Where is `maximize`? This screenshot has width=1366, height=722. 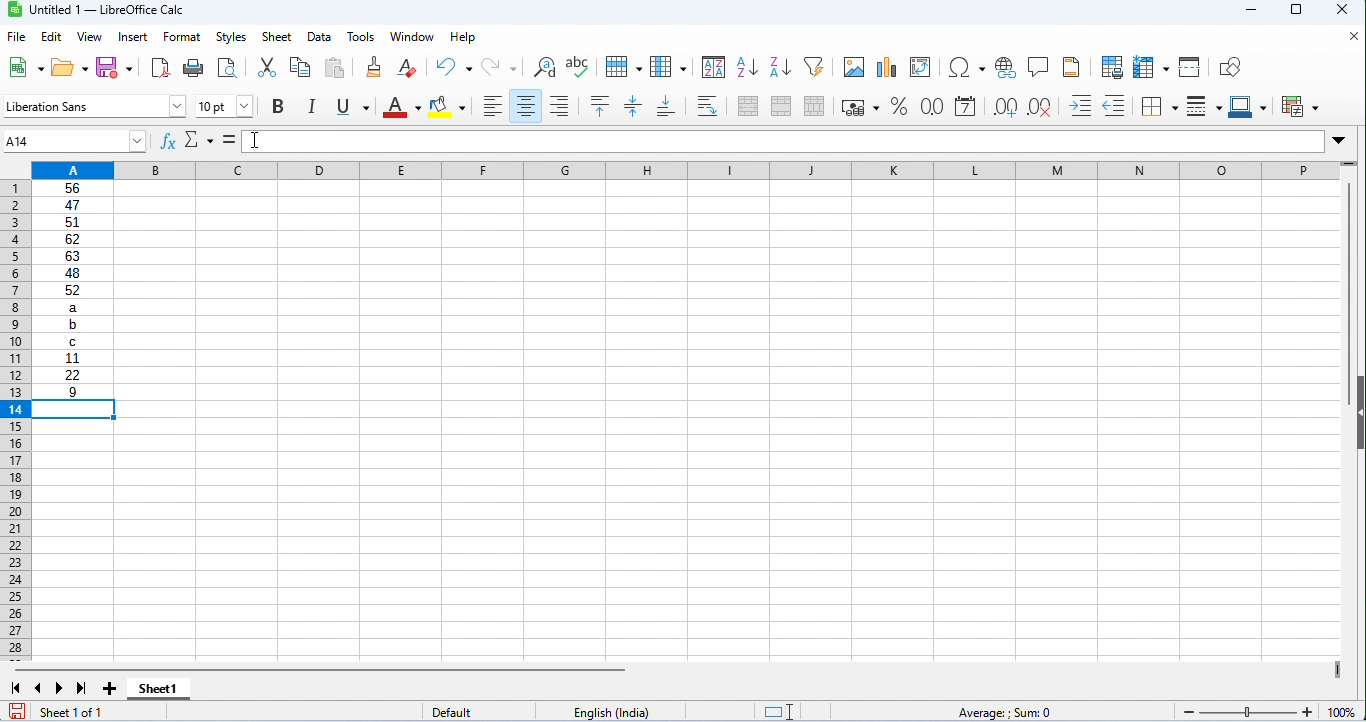
maximize is located at coordinates (1296, 10).